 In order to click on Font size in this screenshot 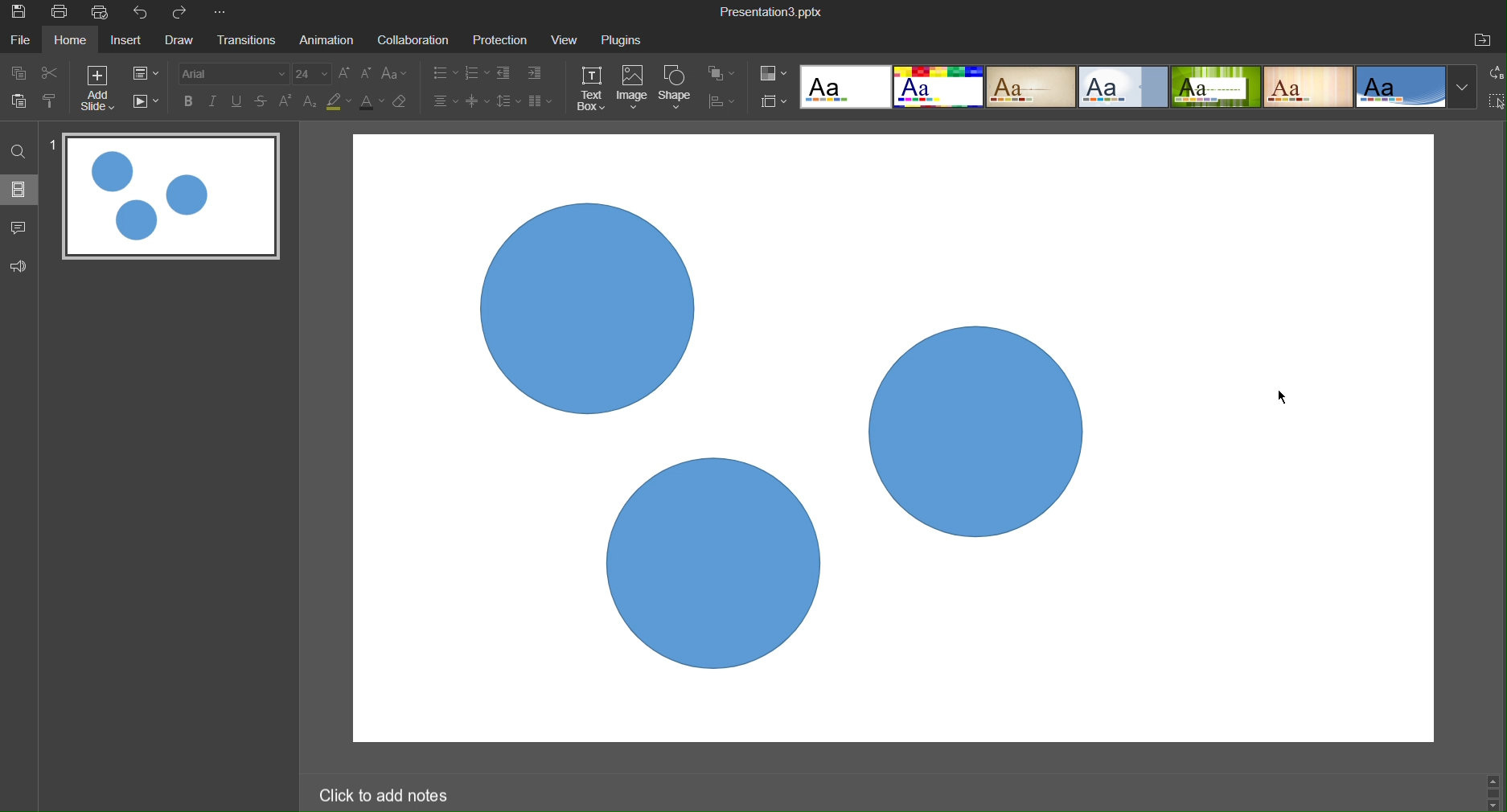, I will do `click(316, 73)`.